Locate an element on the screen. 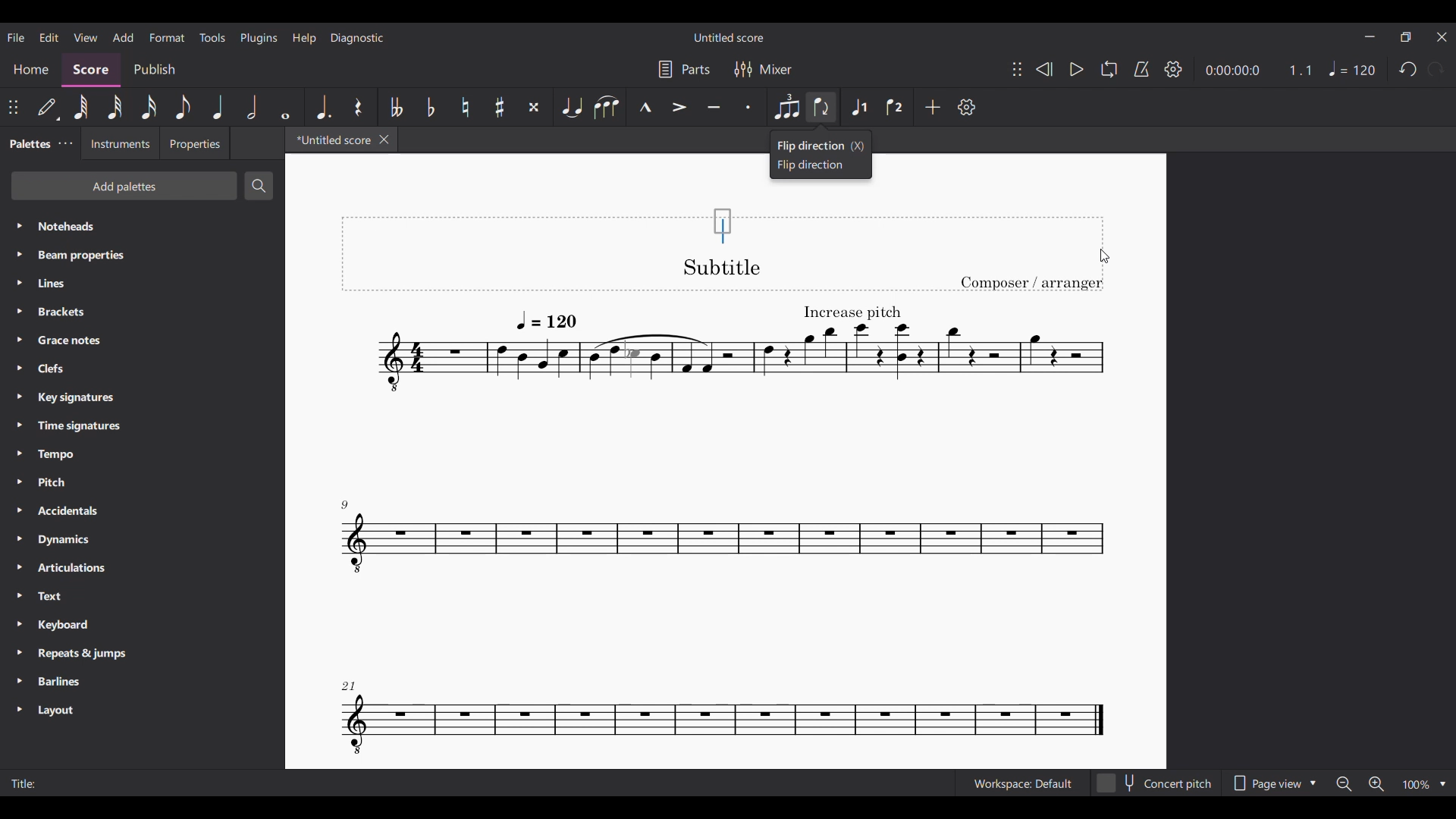  Concert pitch toggle is located at coordinates (1155, 783).